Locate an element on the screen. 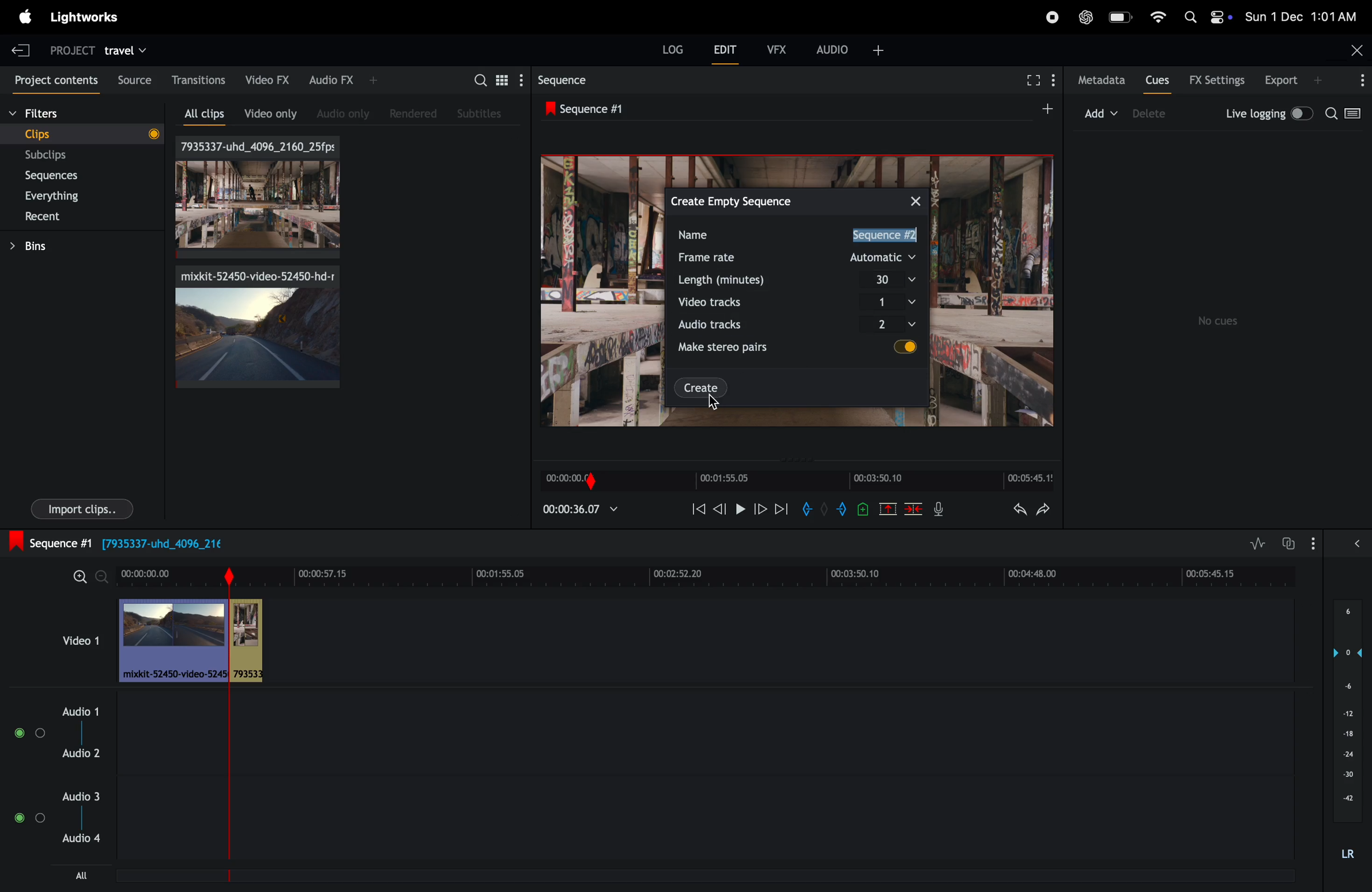 The image size is (1372, 892). battery is located at coordinates (1120, 17).